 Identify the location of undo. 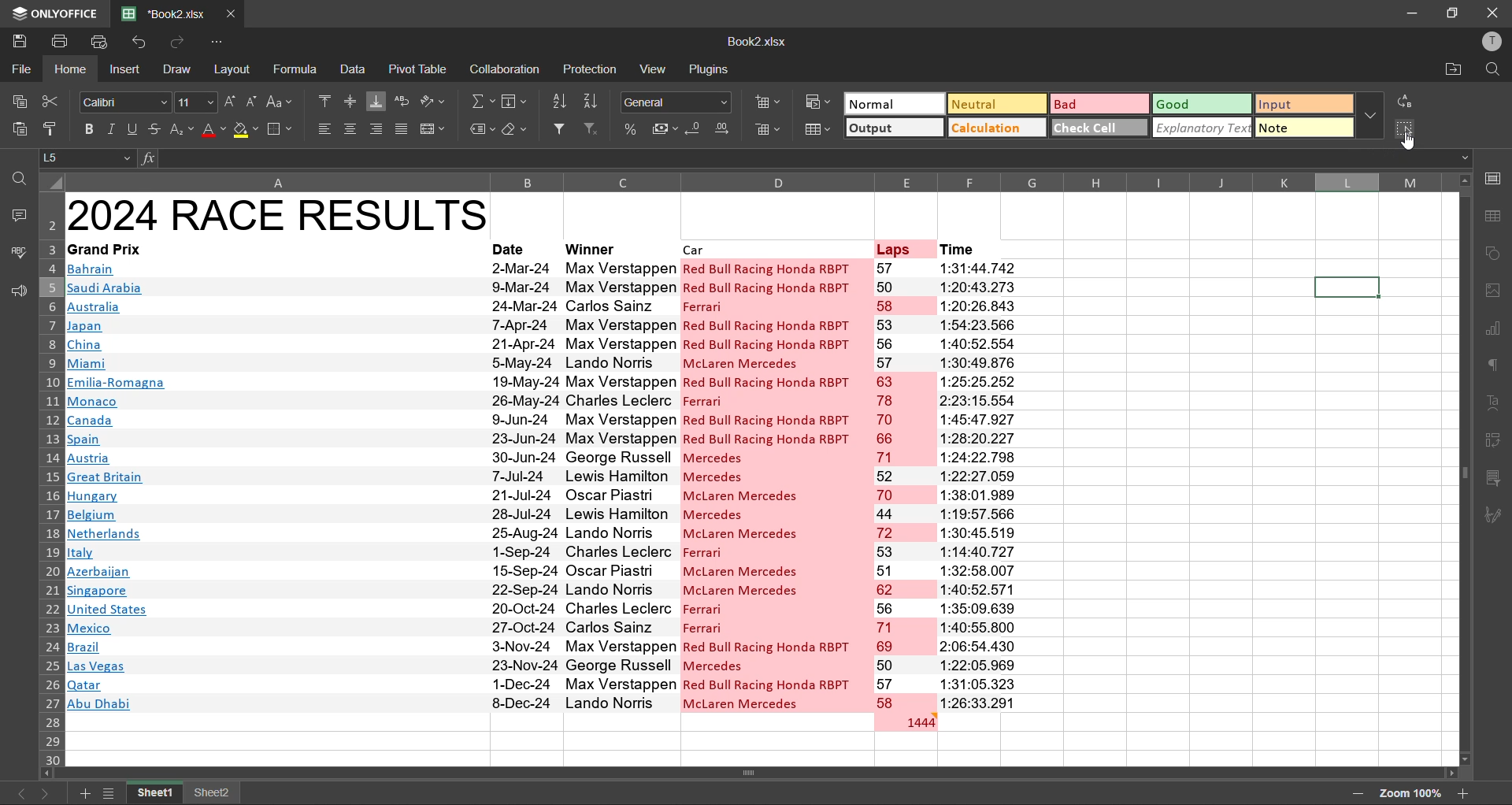
(142, 43).